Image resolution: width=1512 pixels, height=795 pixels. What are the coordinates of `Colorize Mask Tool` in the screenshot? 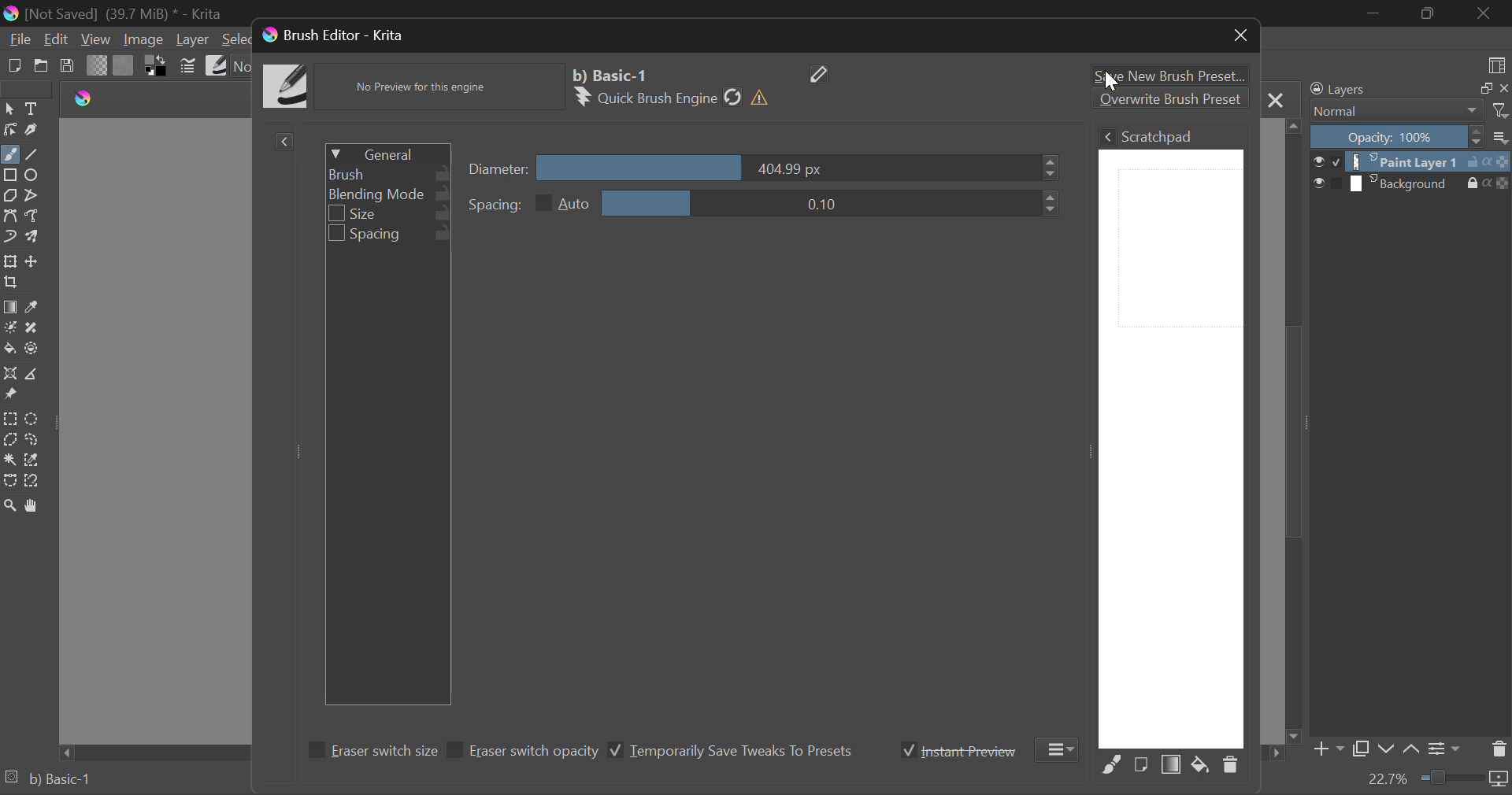 It's located at (9, 327).